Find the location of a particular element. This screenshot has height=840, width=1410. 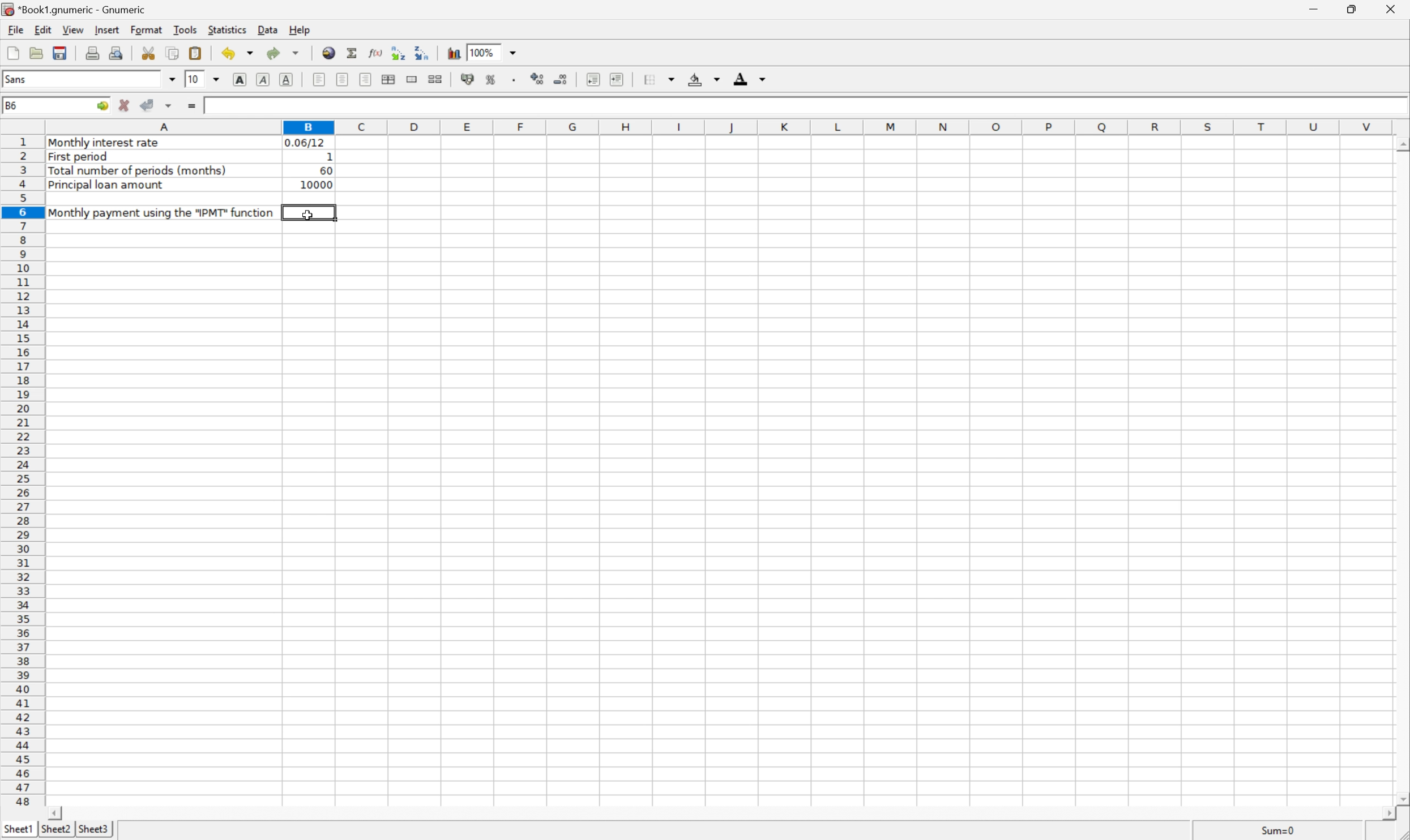

Bold is located at coordinates (240, 78).